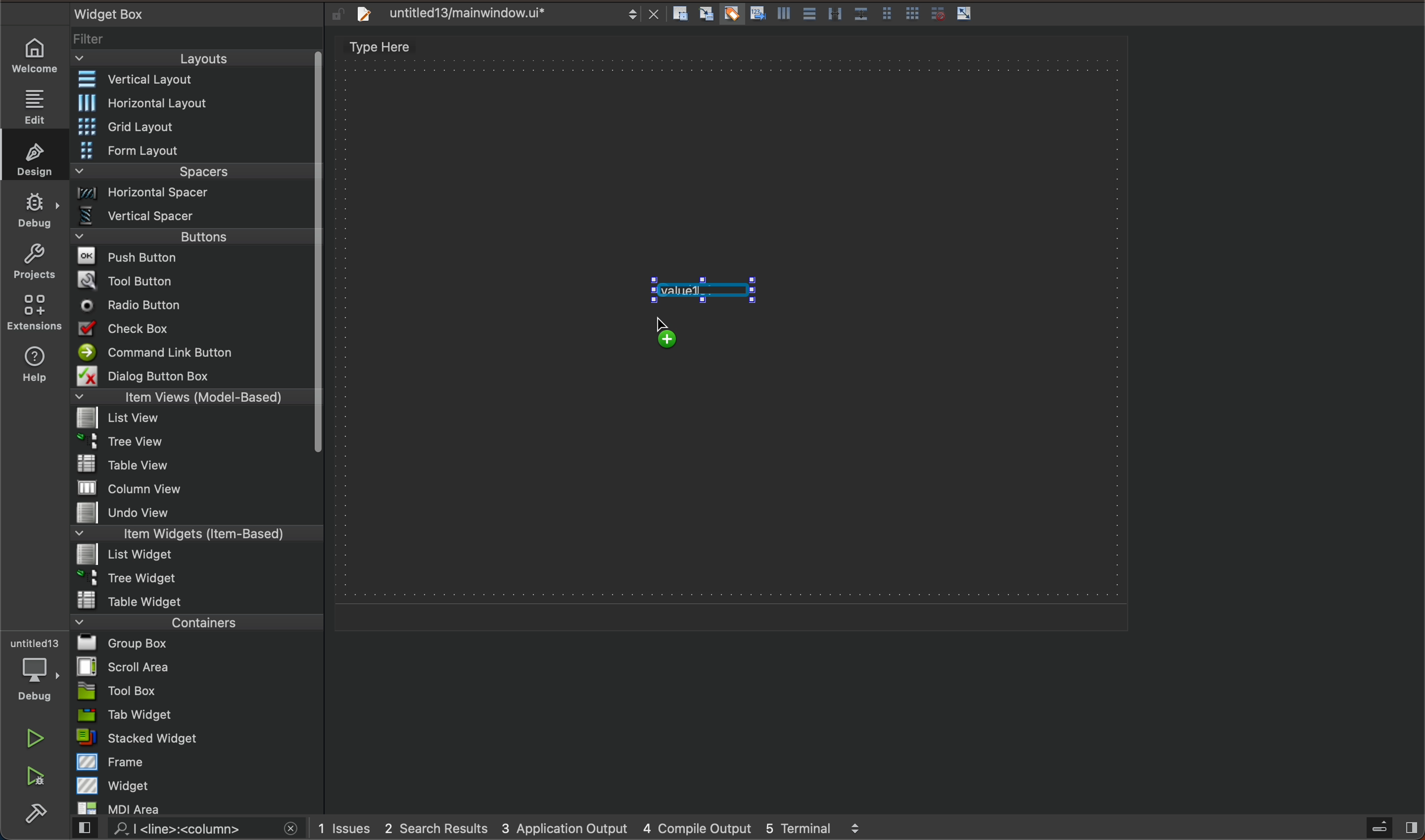 This screenshot has height=840, width=1425. What do you see at coordinates (194, 536) in the screenshot?
I see `item widget` at bounding box center [194, 536].